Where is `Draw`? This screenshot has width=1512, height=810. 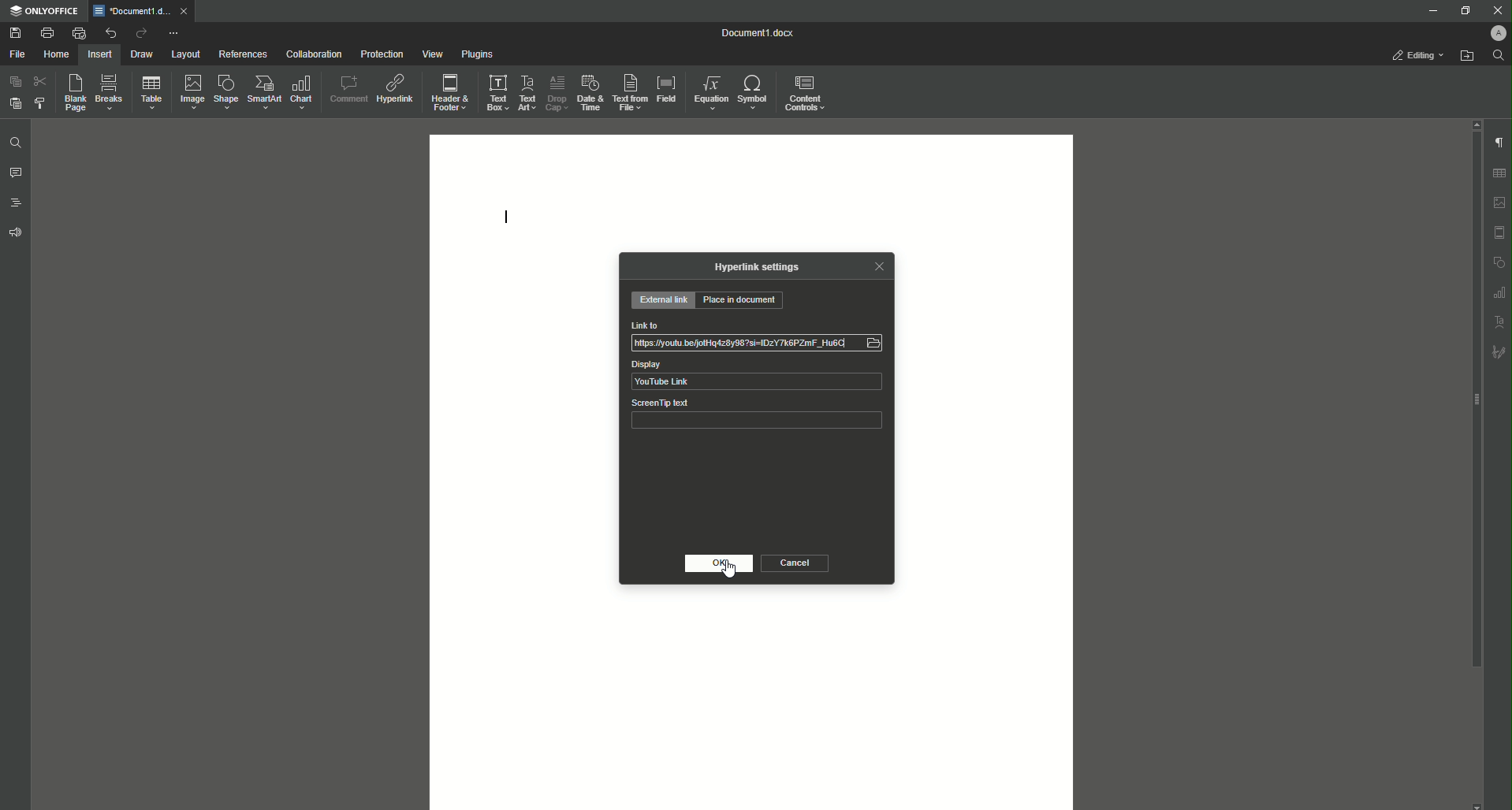 Draw is located at coordinates (143, 54).